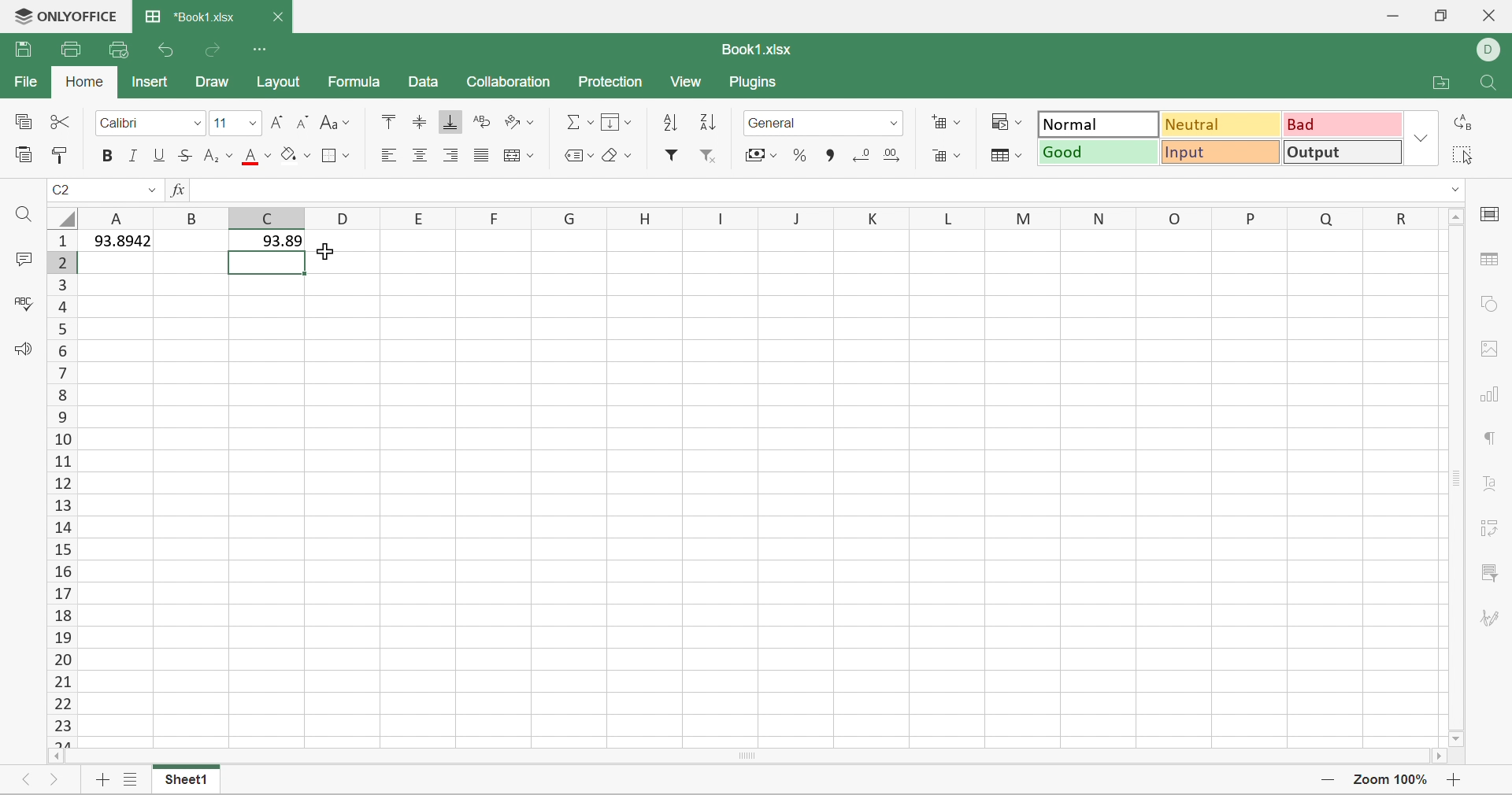 Image resolution: width=1512 pixels, height=795 pixels. Describe the element at coordinates (1462, 124) in the screenshot. I see `Replace` at that location.